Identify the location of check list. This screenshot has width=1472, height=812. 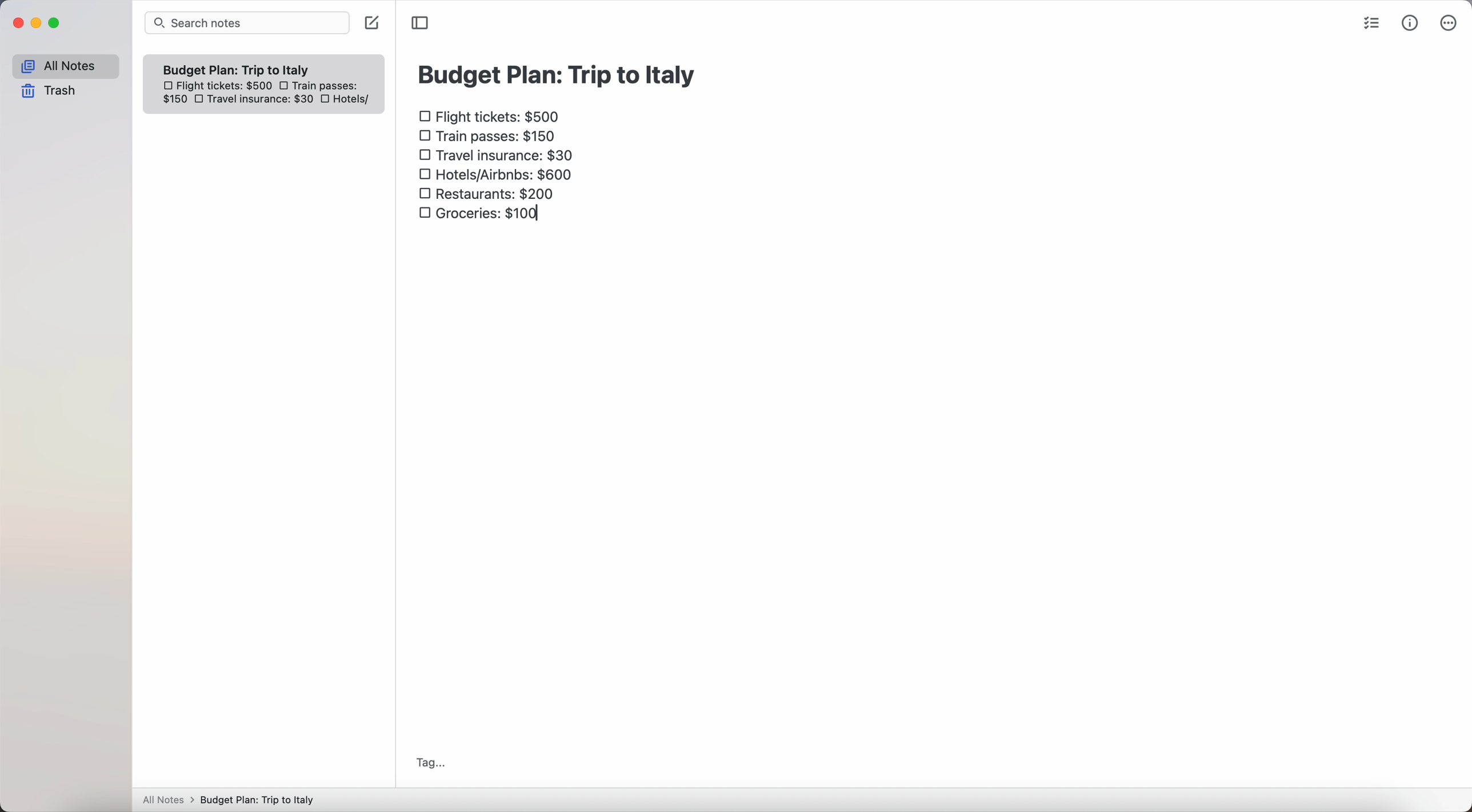
(1375, 25).